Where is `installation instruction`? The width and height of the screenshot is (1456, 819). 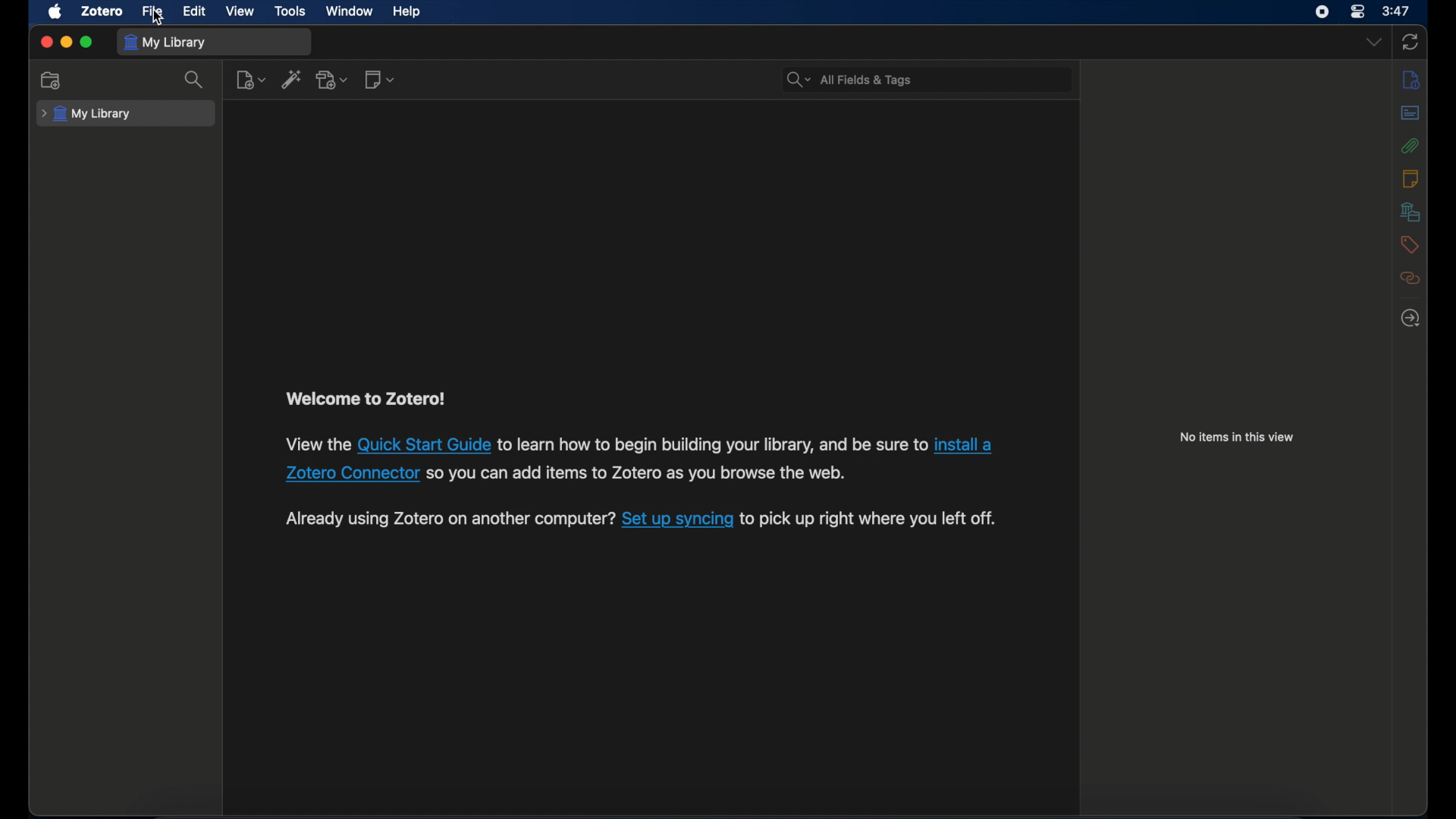 installation instruction is located at coordinates (315, 442).